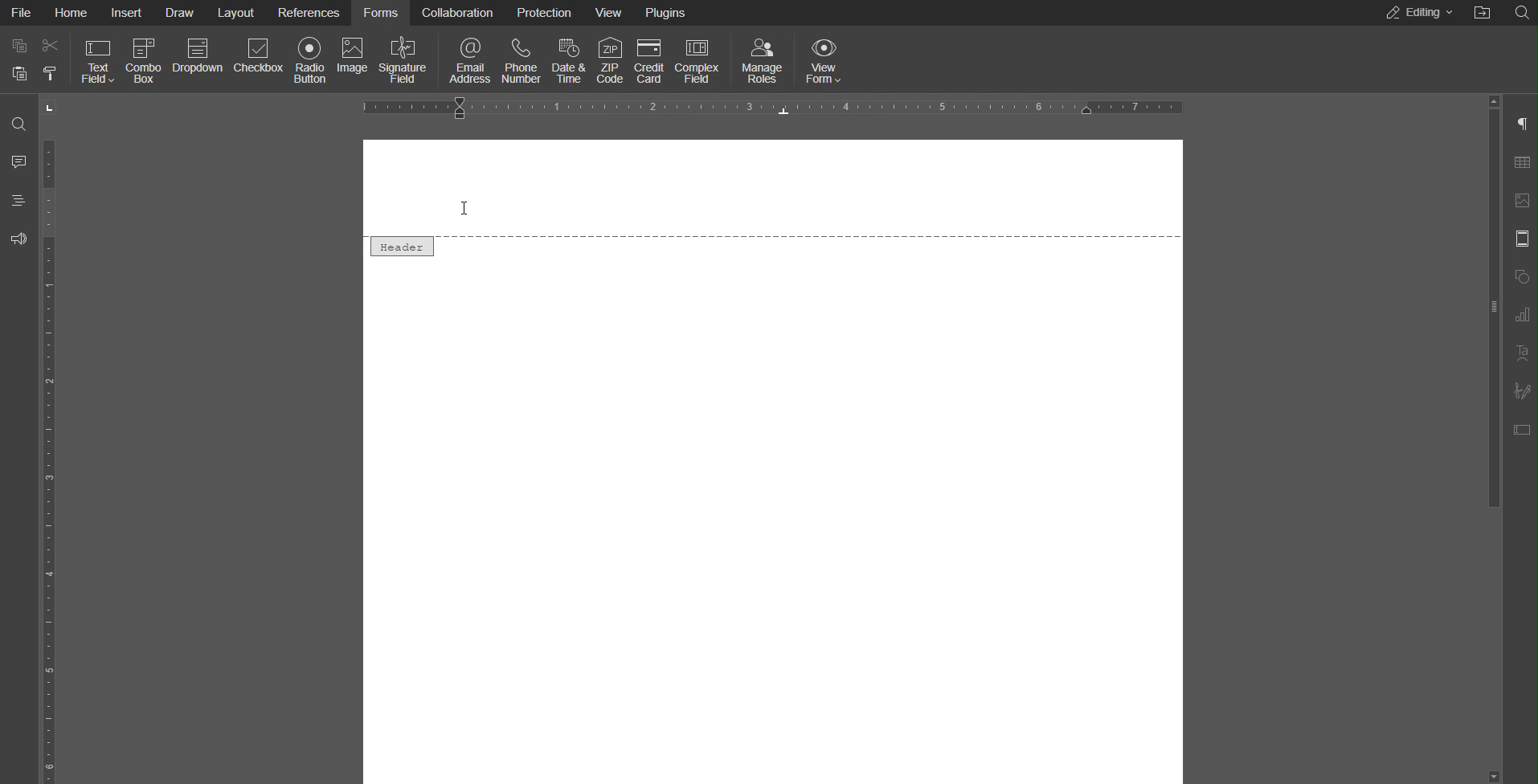 Image resolution: width=1538 pixels, height=784 pixels. Describe the element at coordinates (776, 108) in the screenshot. I see `Horizontal Ruler` at that location.